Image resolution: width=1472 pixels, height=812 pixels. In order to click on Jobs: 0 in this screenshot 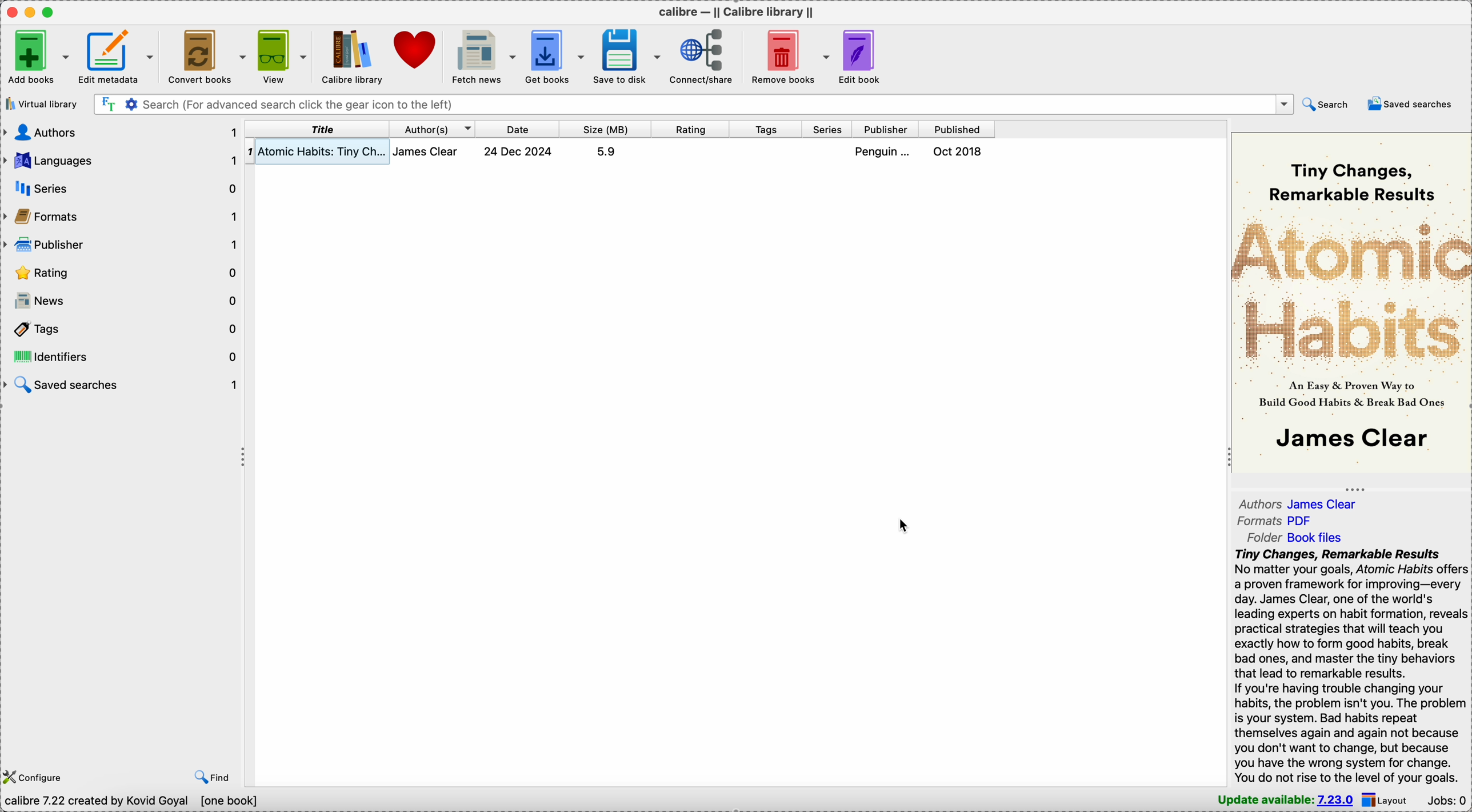, I will do `click(1448, 799)`.